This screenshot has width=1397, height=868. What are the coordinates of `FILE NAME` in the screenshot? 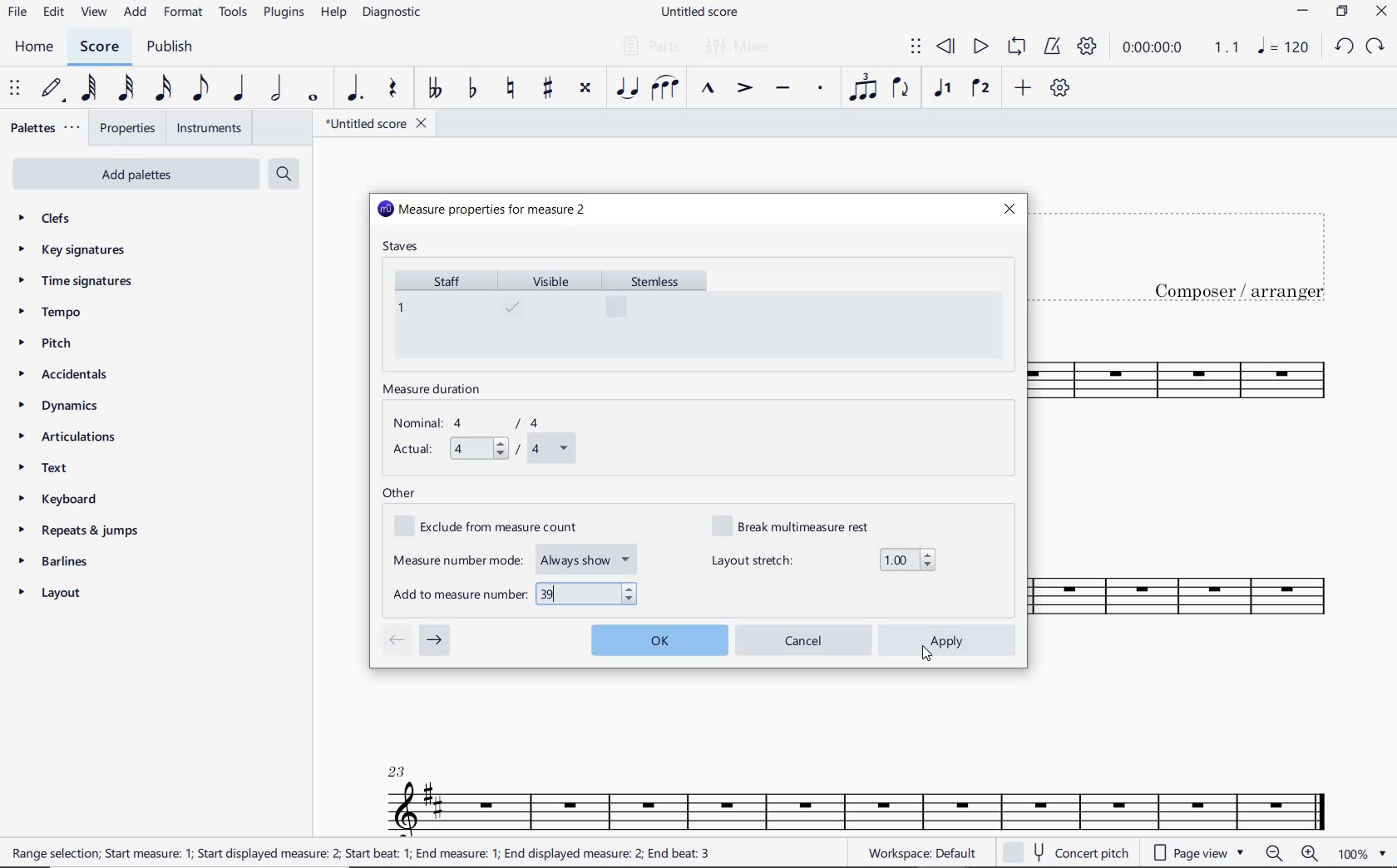 It's located at (703, 12).